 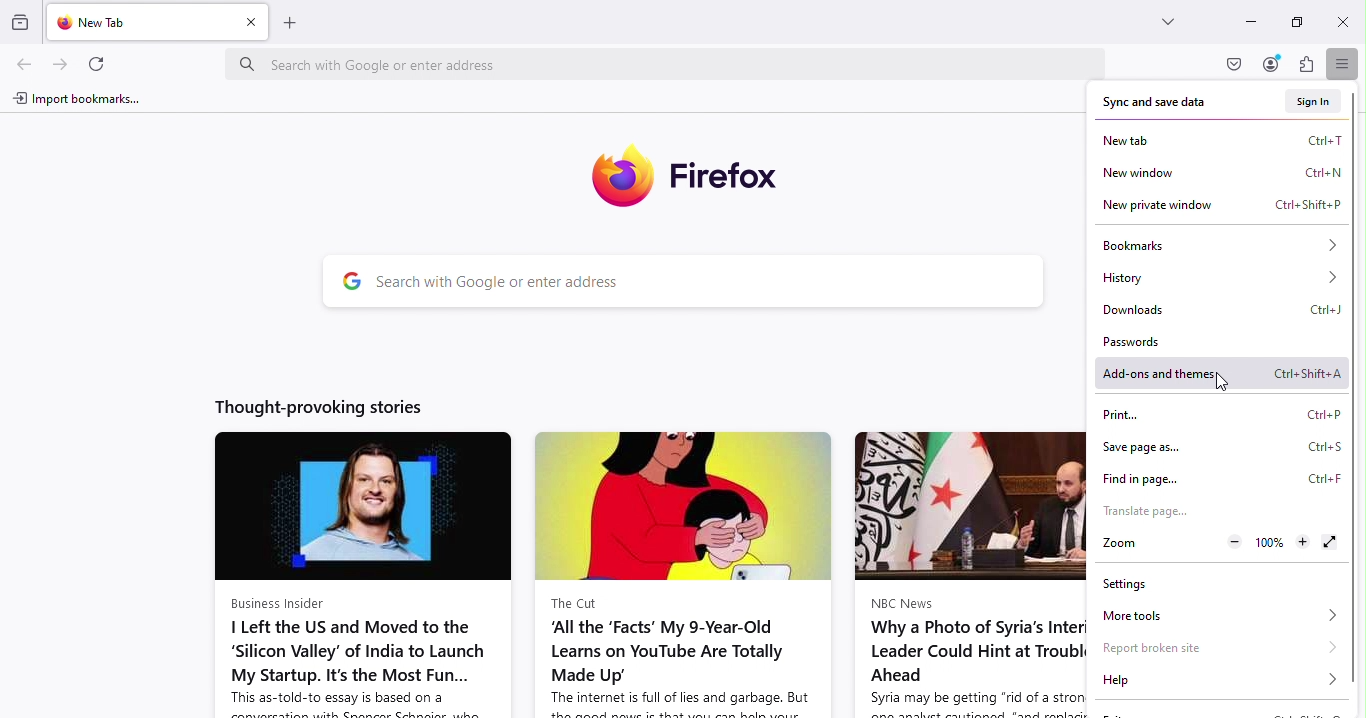 I want to click on Close, so click(x=1341, y=20).